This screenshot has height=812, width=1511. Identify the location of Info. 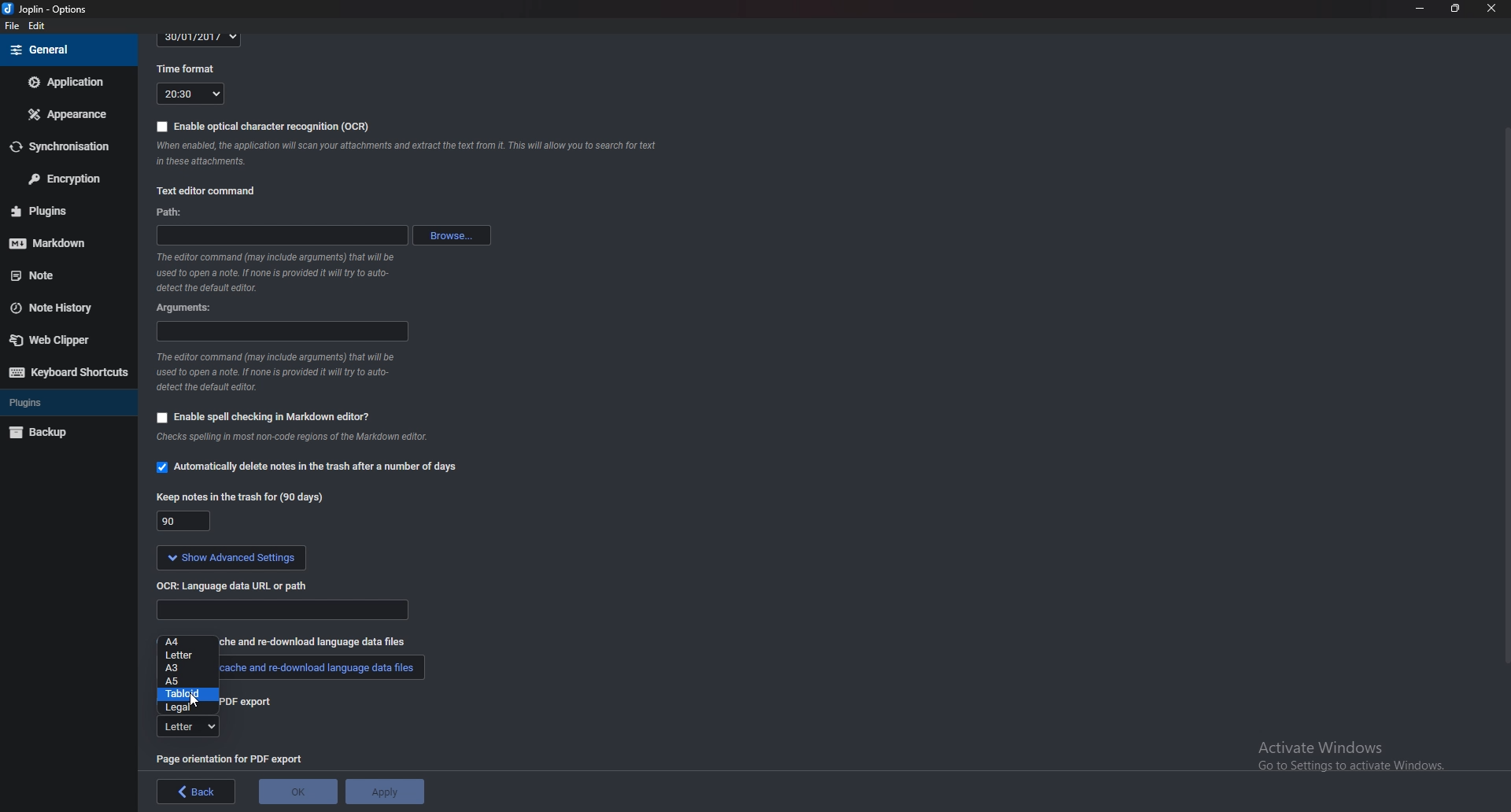
(283, 272).